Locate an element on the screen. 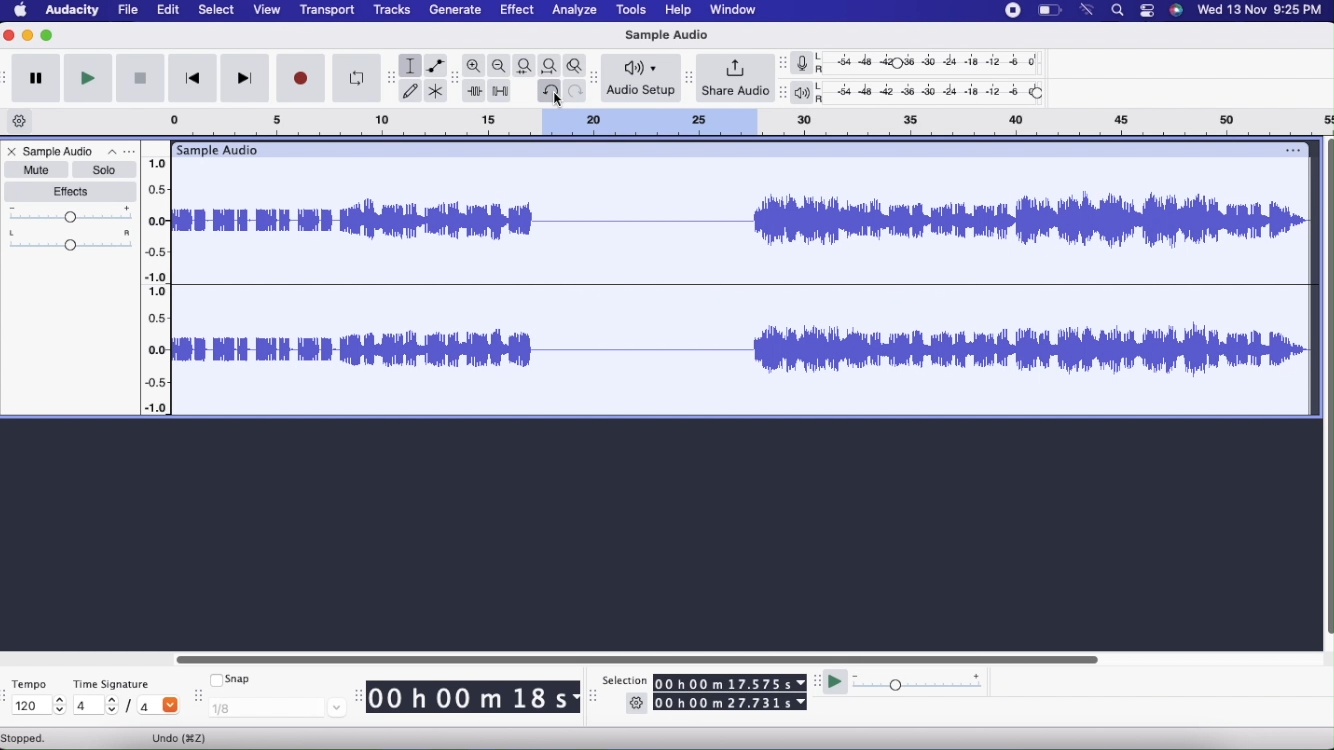 The image size is (1334, 750). Edit is located at coordinates (169, 11).